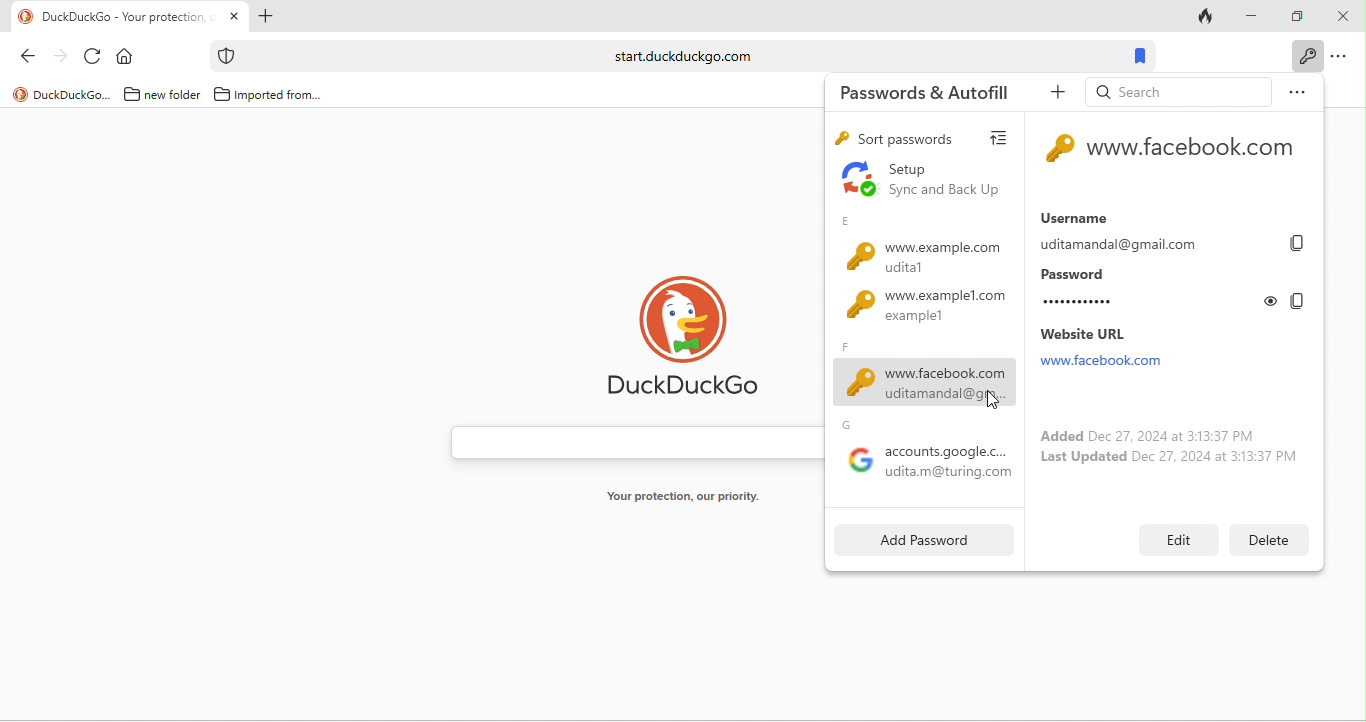  I want to click on search, so click(1176, 91).